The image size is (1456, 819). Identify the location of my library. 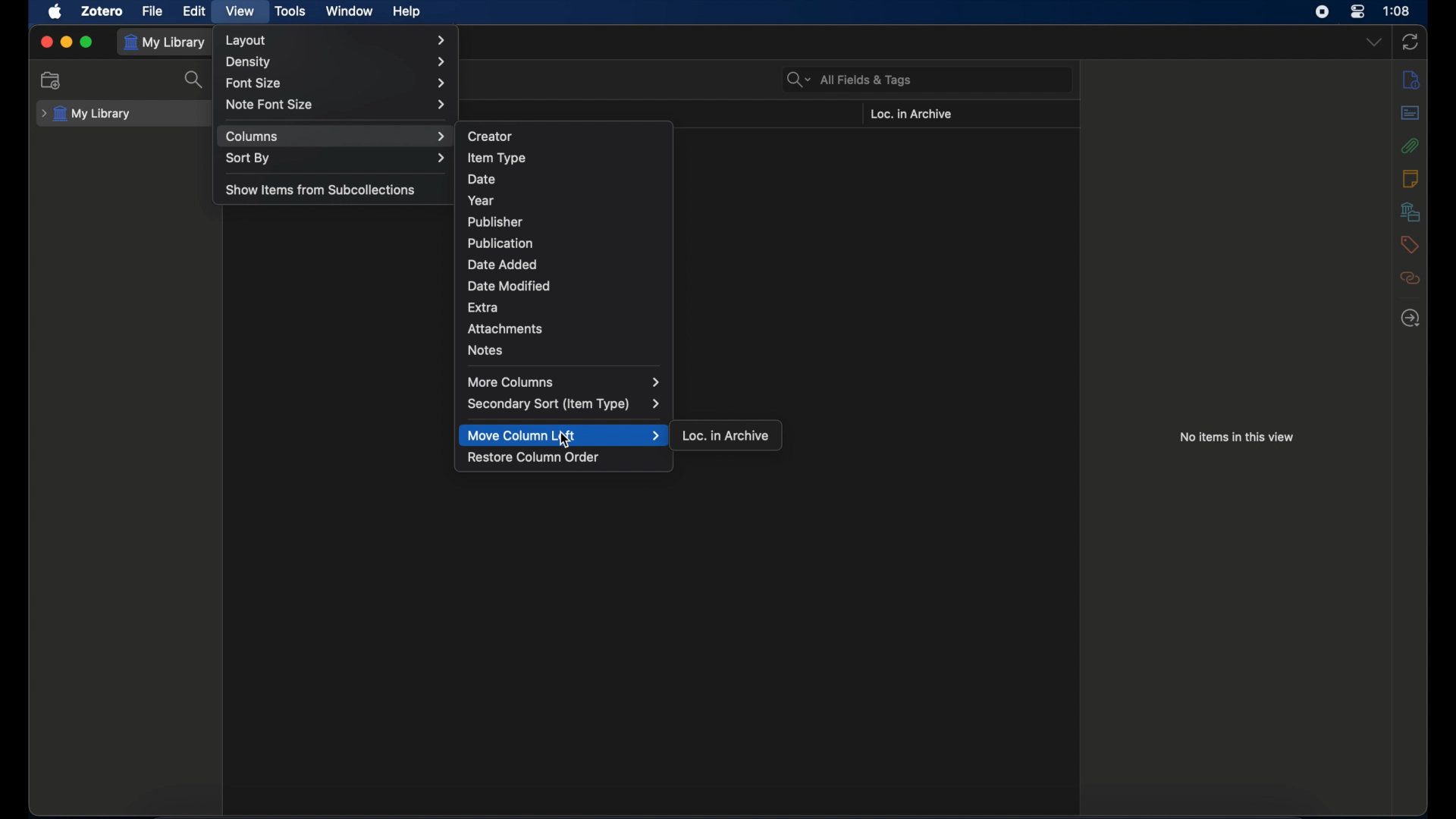
(167, 42).